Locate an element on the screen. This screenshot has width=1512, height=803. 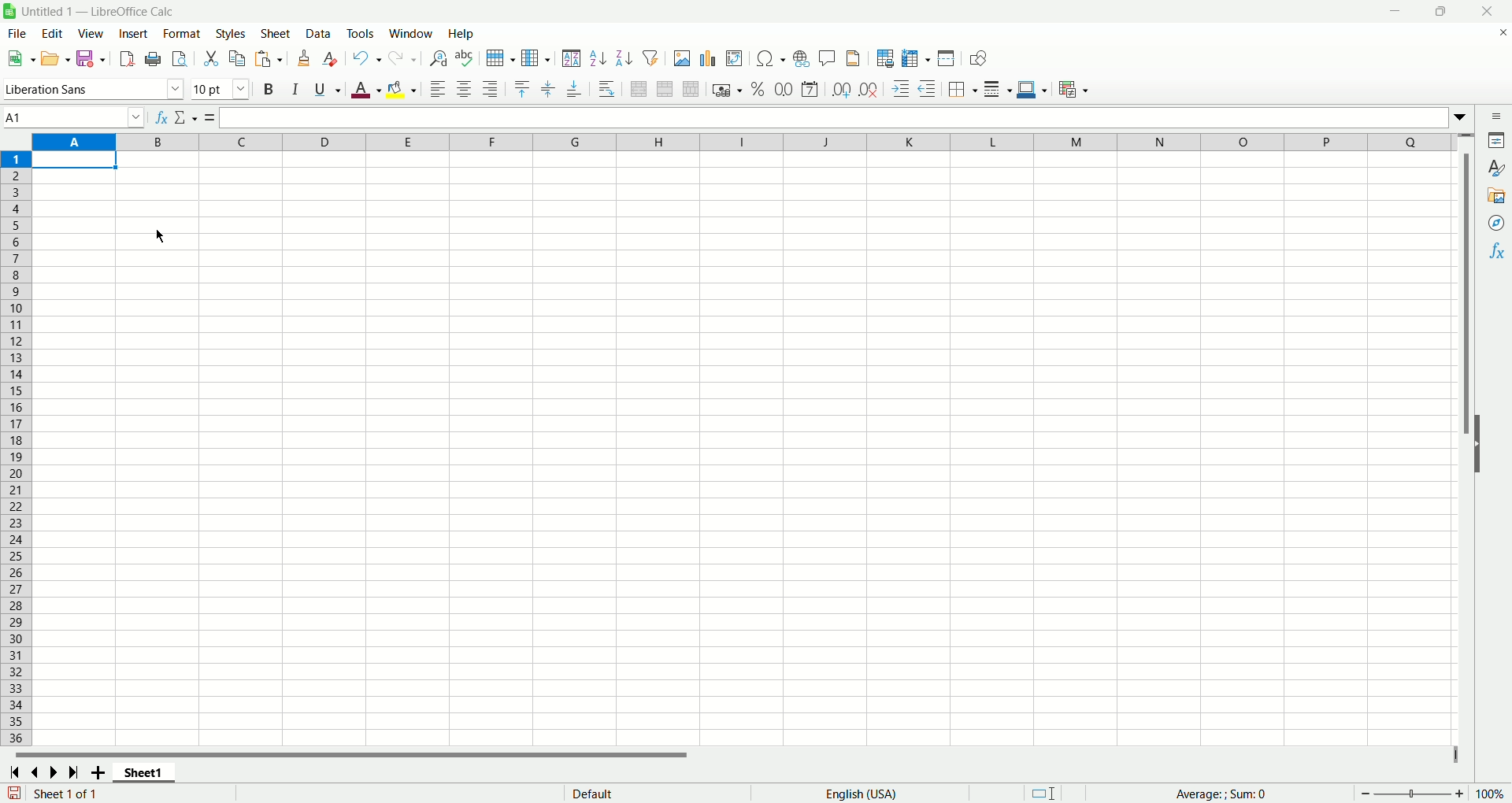
cursor is located at coordinates (158, 238).